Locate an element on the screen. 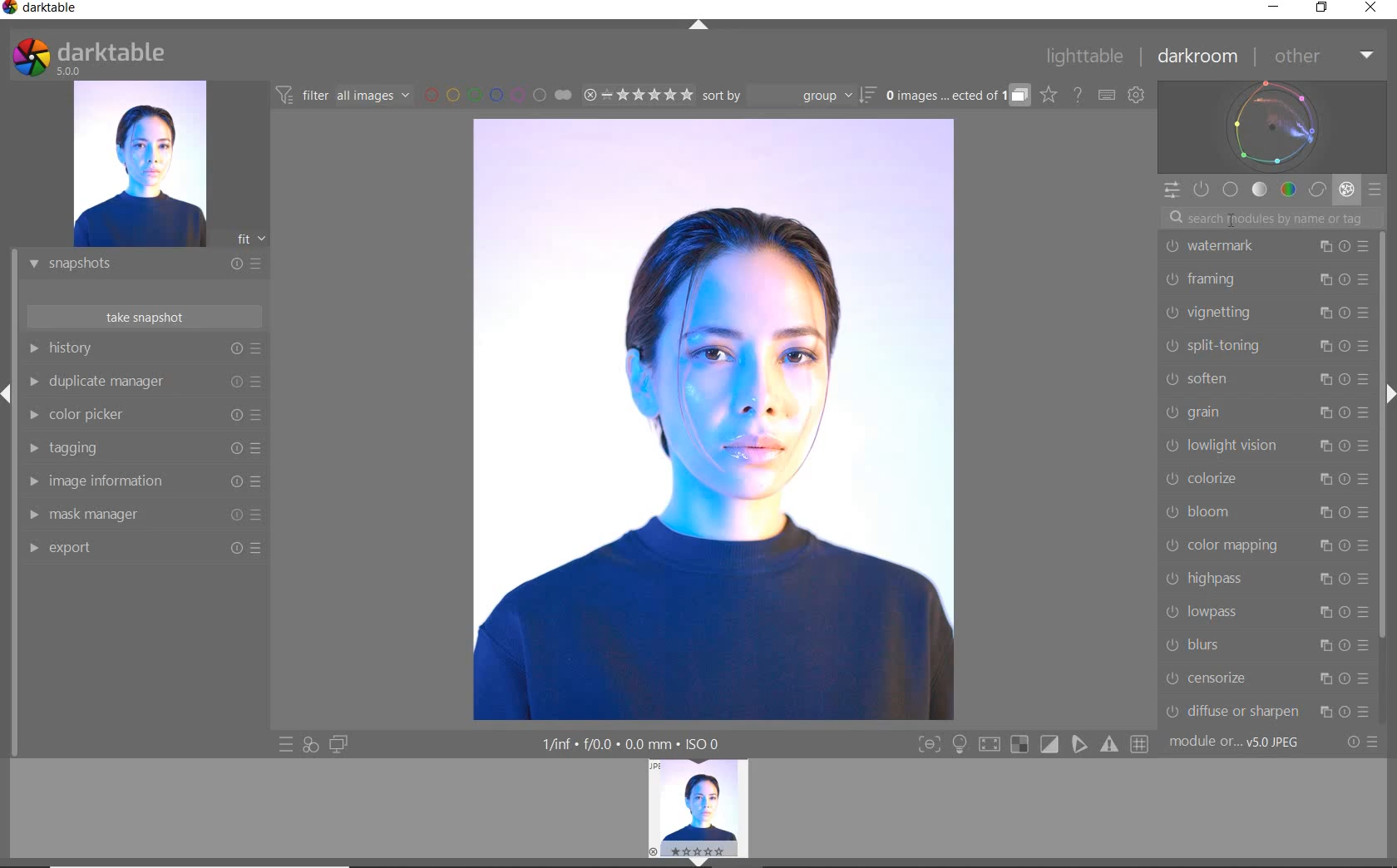 Image resolution: width=1397 pixels, height=868 pixels. OTHER is located at coordinates (1322, 57).